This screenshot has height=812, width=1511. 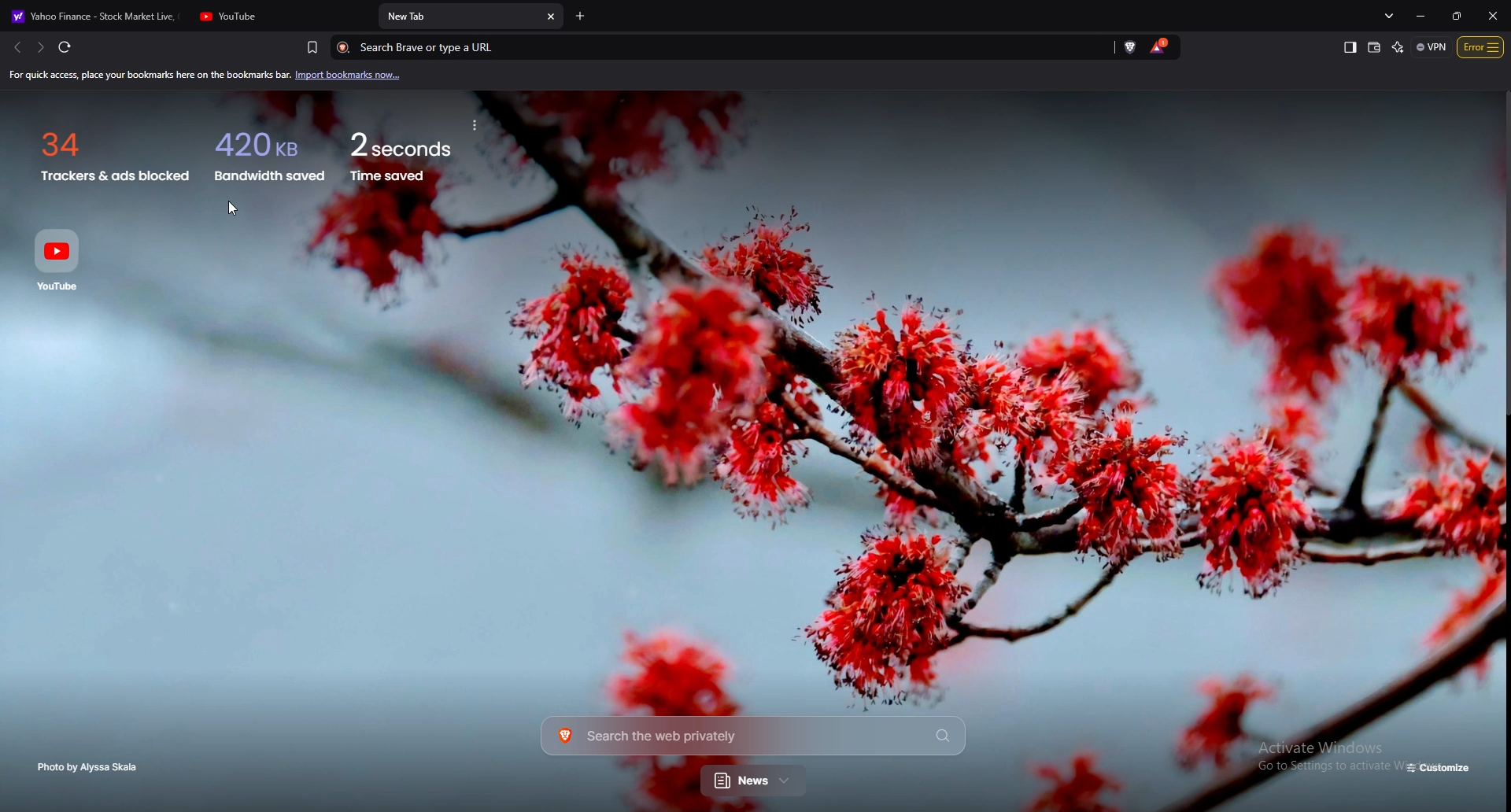 I want to click on Youtube, so click(x=62, y=259).